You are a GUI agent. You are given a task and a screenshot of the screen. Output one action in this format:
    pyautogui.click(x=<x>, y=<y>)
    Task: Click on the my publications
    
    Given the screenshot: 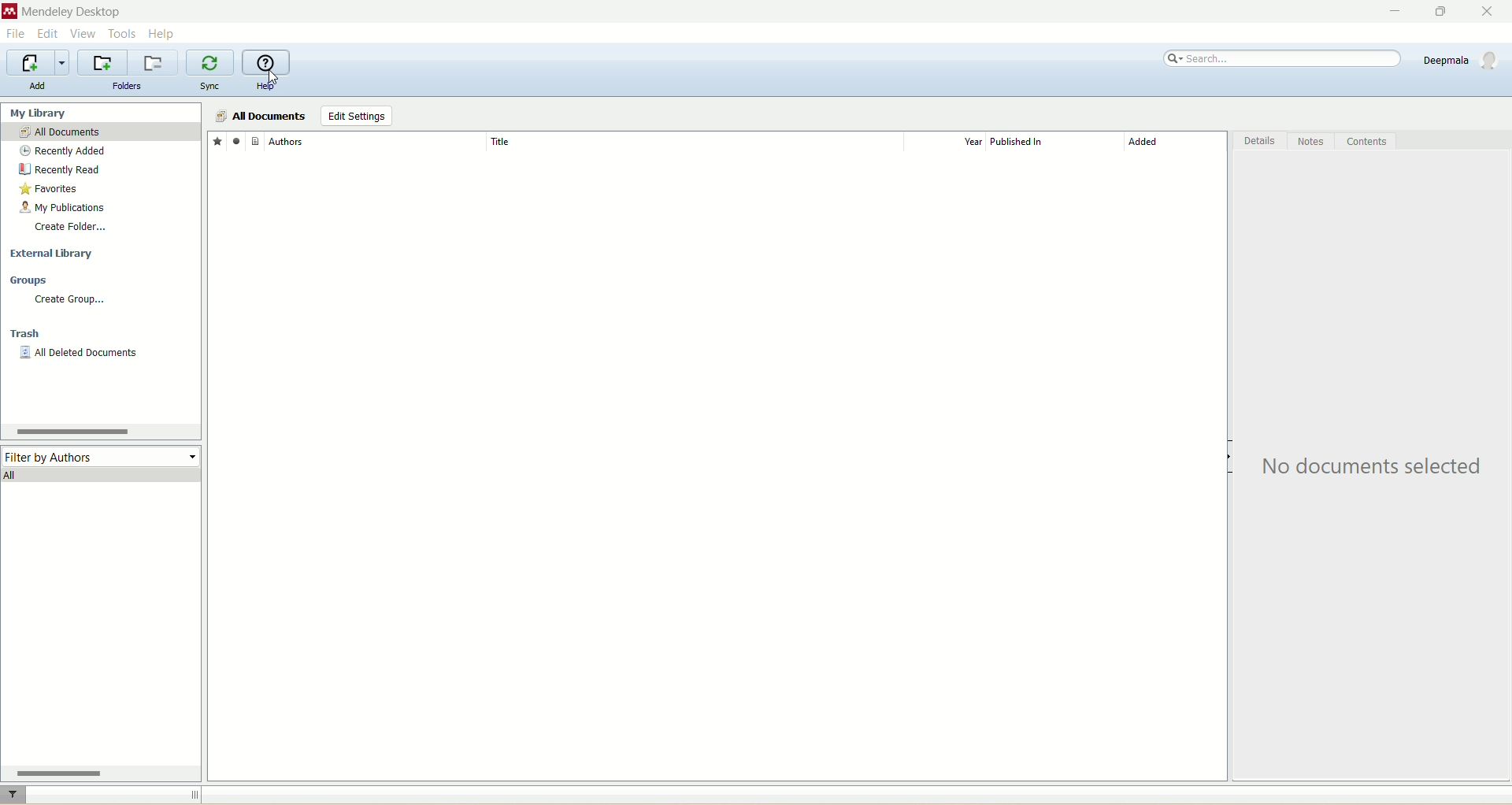 What is the action you would take?
    pyautogui.click(x=59, y=209)
    